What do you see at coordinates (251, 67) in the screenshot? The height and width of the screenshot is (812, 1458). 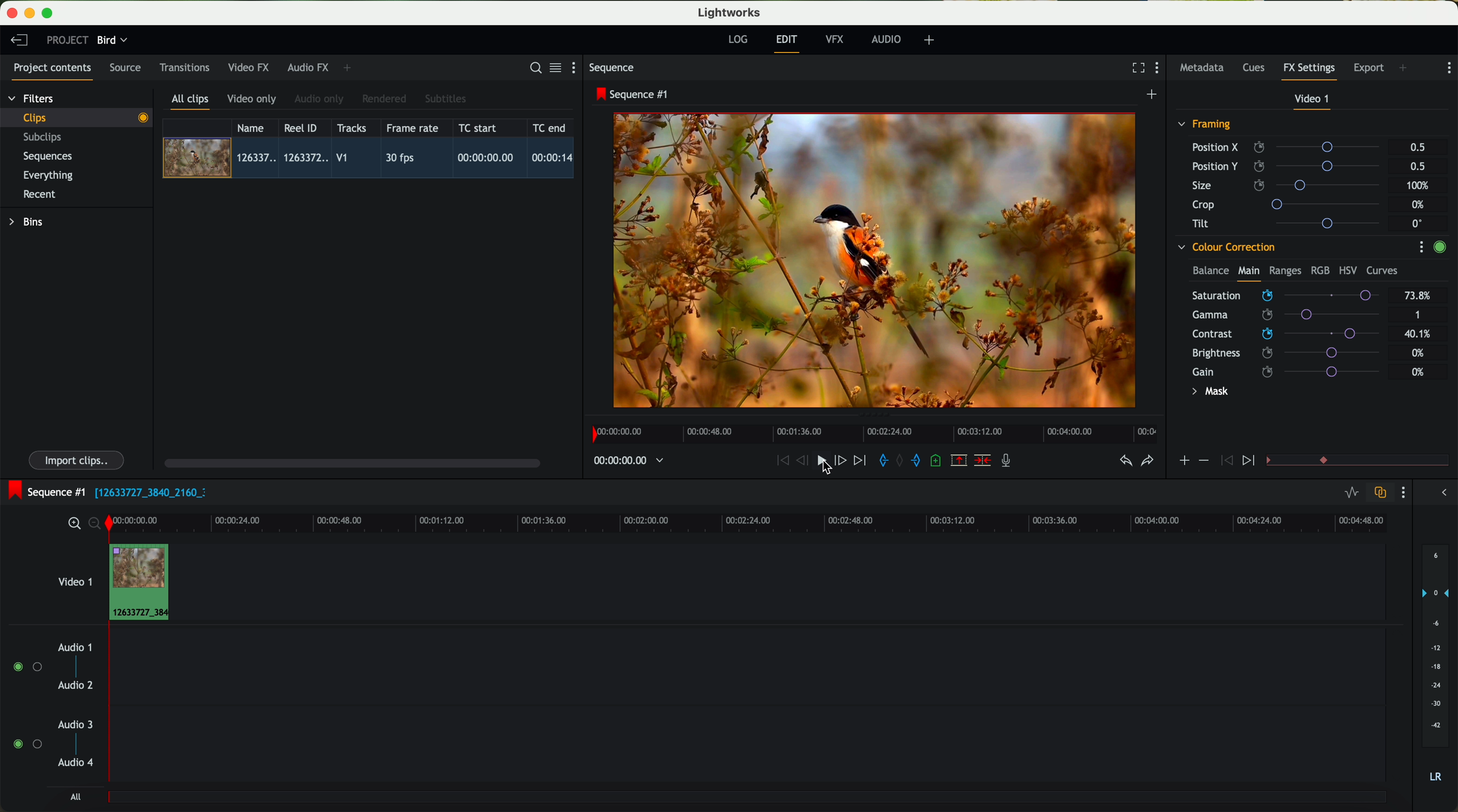 I see `video FX` at bounding box center [251, 67].